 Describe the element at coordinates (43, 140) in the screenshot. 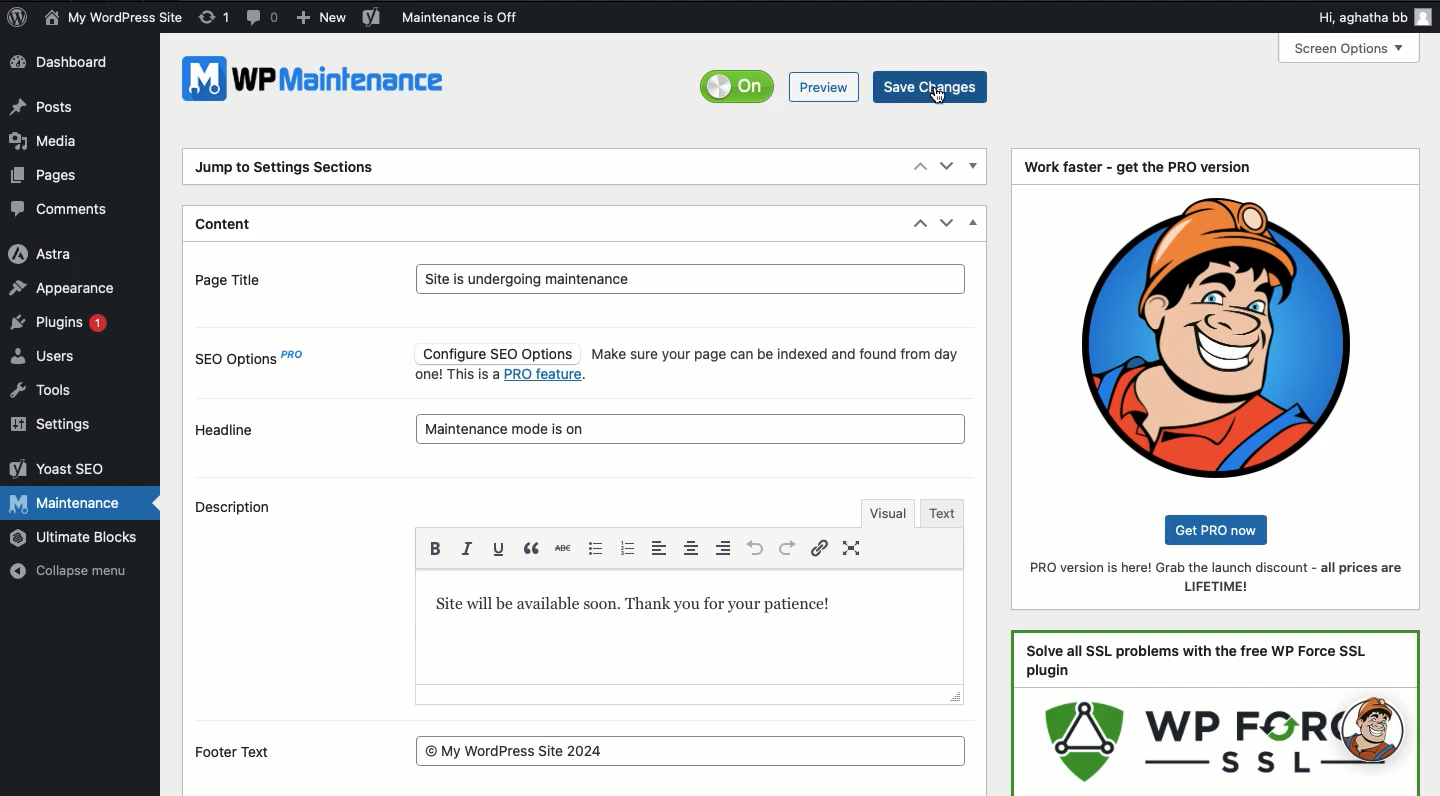

I see `Media` at that location.